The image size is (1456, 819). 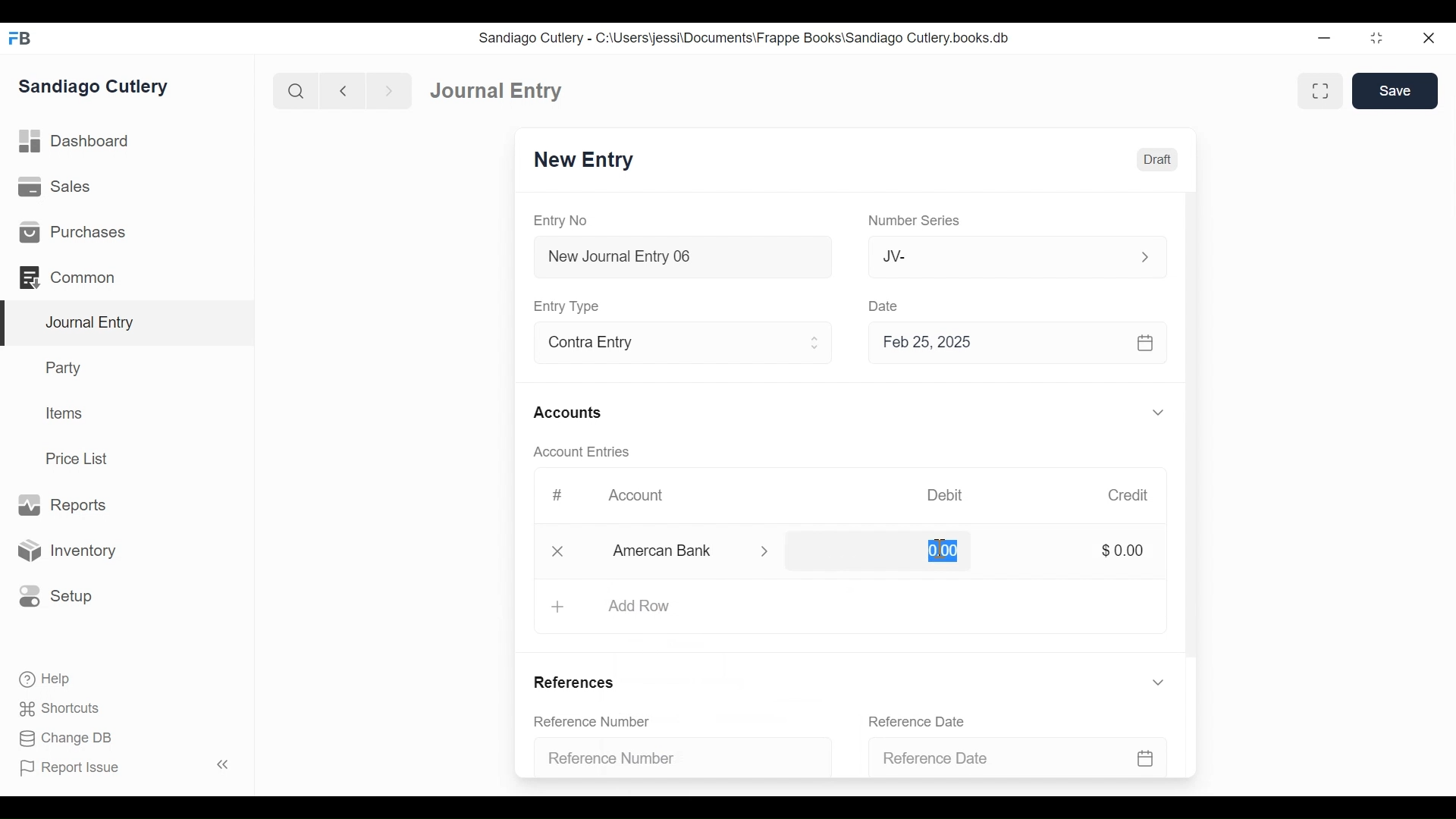 I want to click on Debit, so click(x=945, y=495).